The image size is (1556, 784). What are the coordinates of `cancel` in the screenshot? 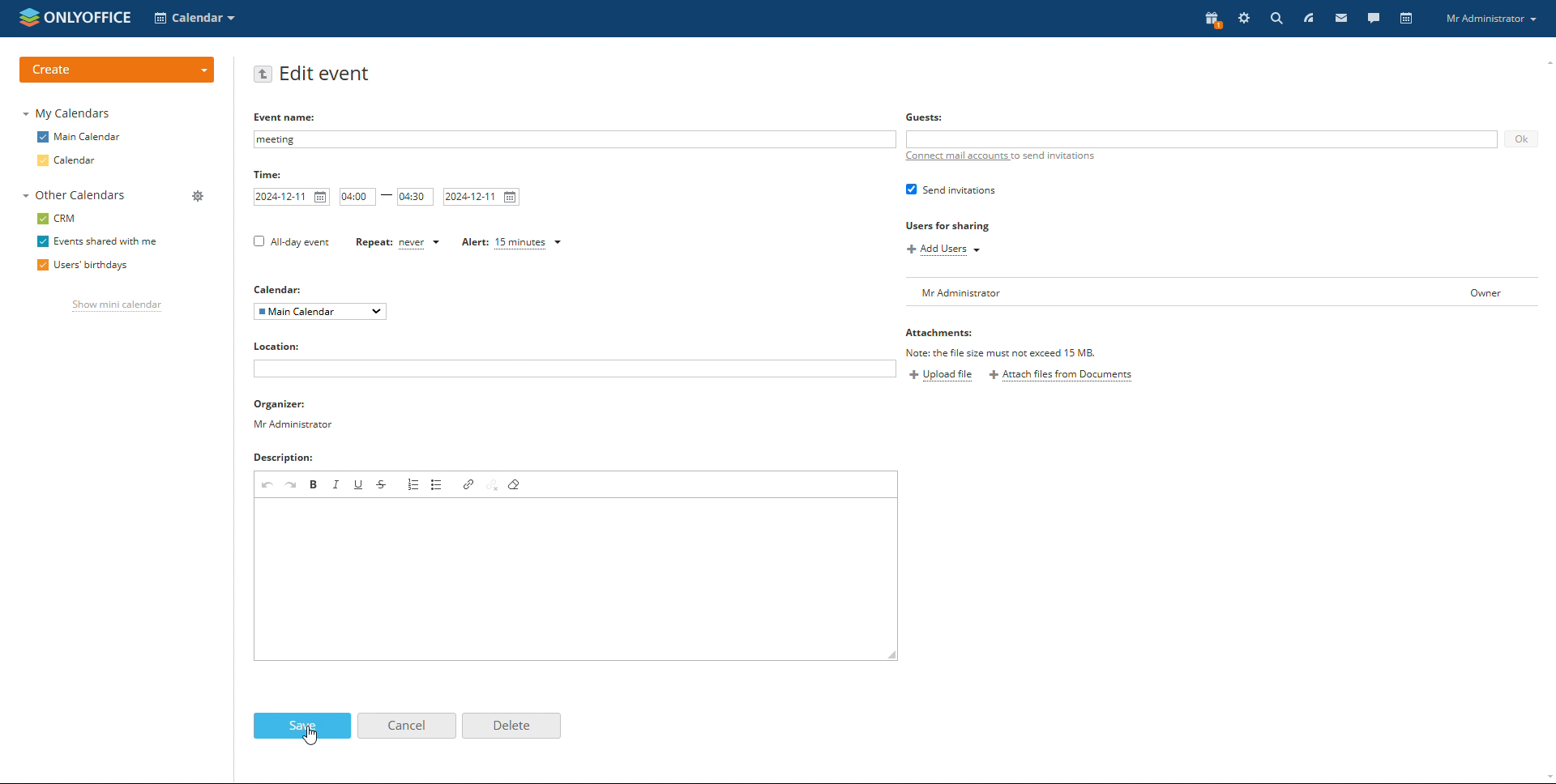 It's located at (406, 725).